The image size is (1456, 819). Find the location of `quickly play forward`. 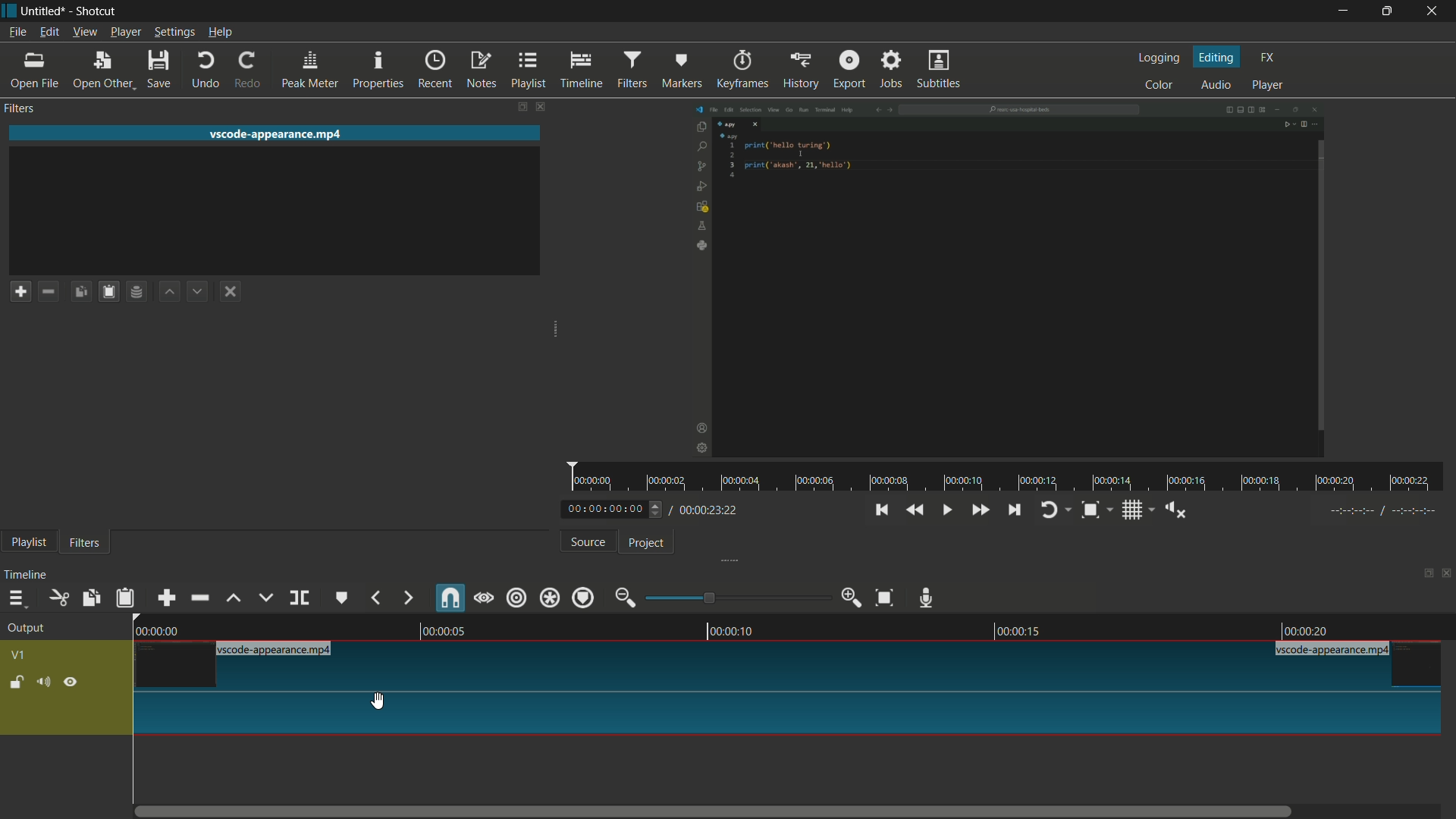

quickly play forward is located at coordinates (982, 511).